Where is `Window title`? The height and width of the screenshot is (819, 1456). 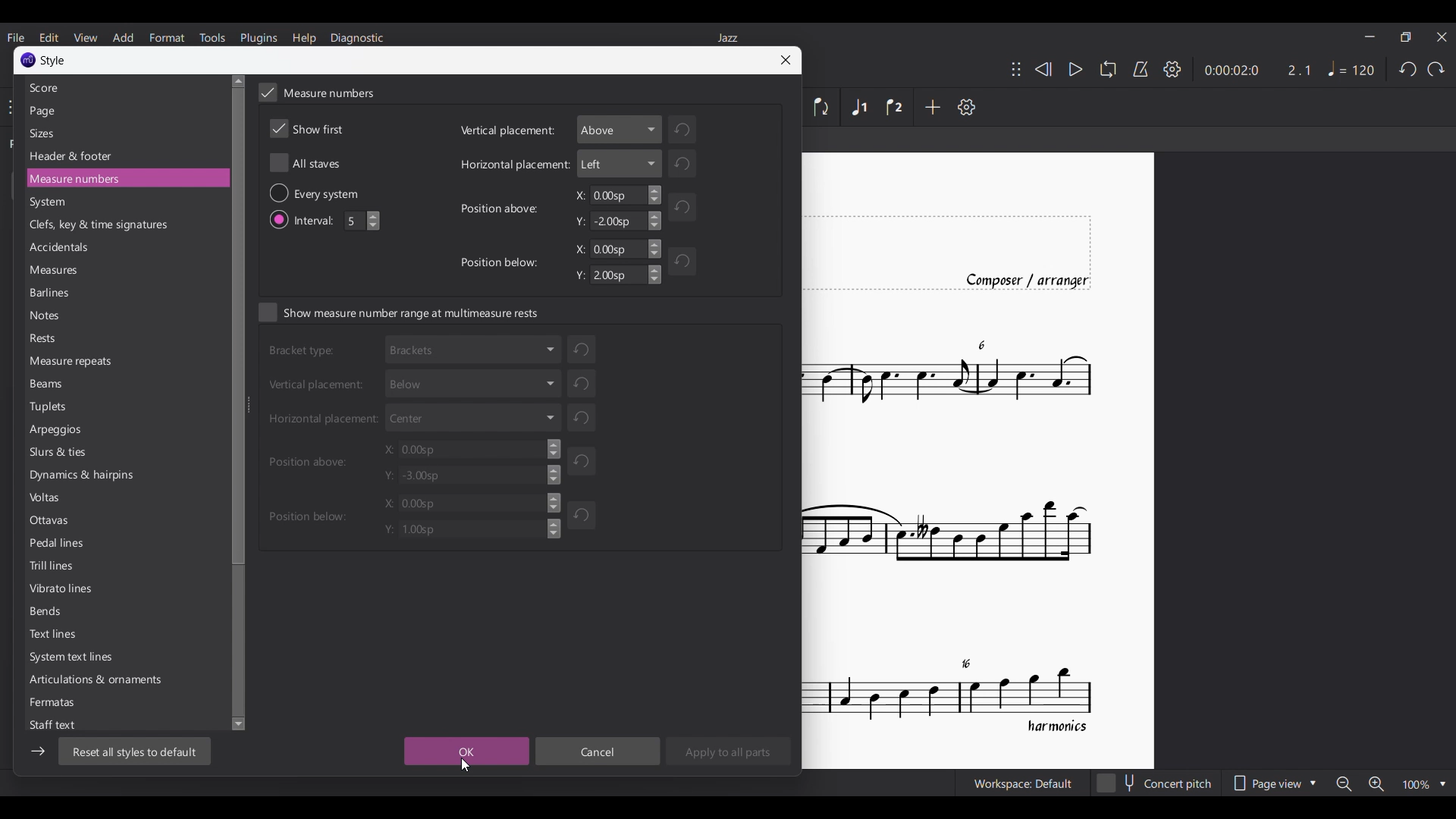
Window title is located at coordinates (54, 61).